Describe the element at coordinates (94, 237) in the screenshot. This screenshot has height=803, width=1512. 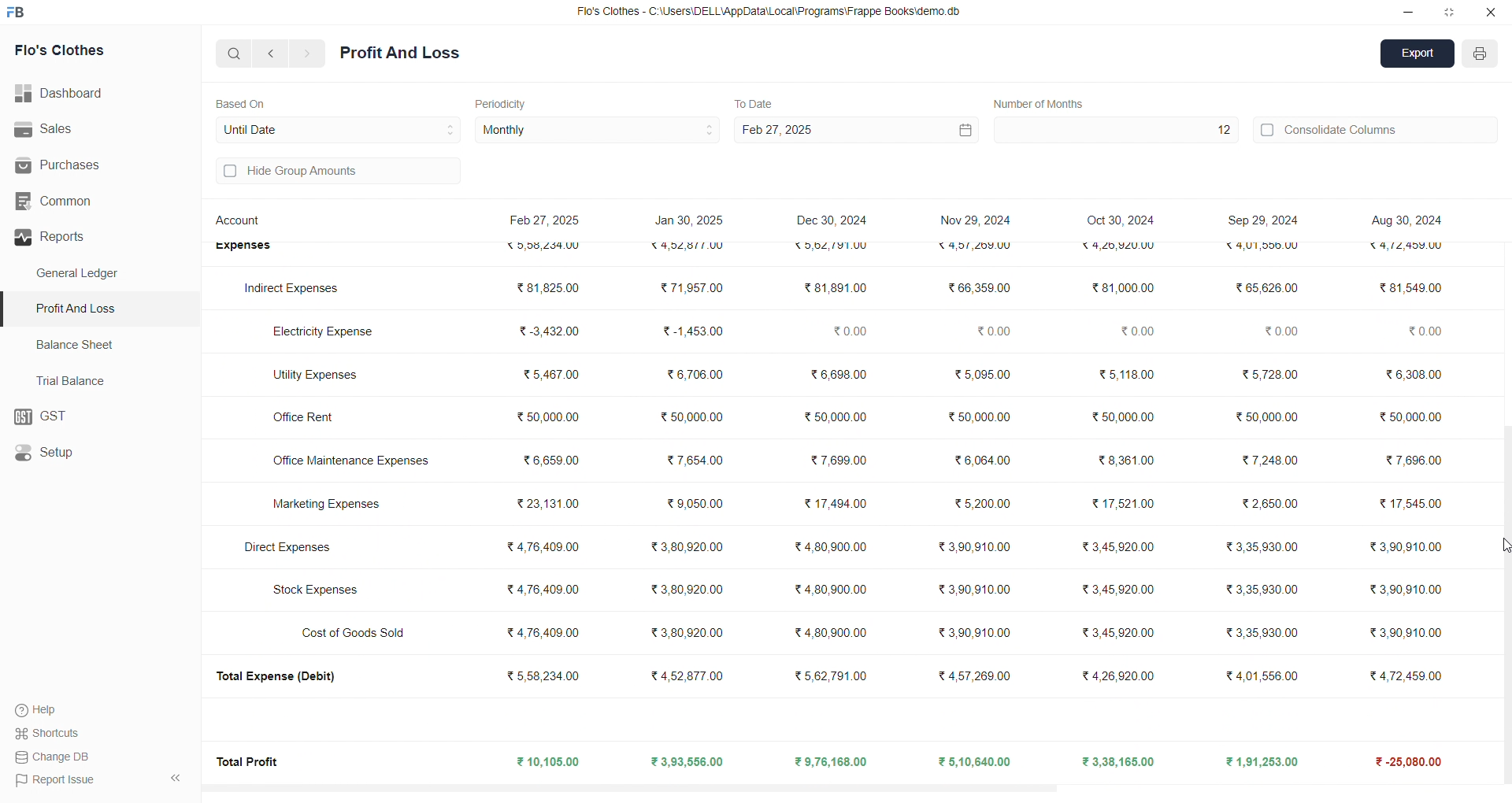
I see `Reports` at that location.